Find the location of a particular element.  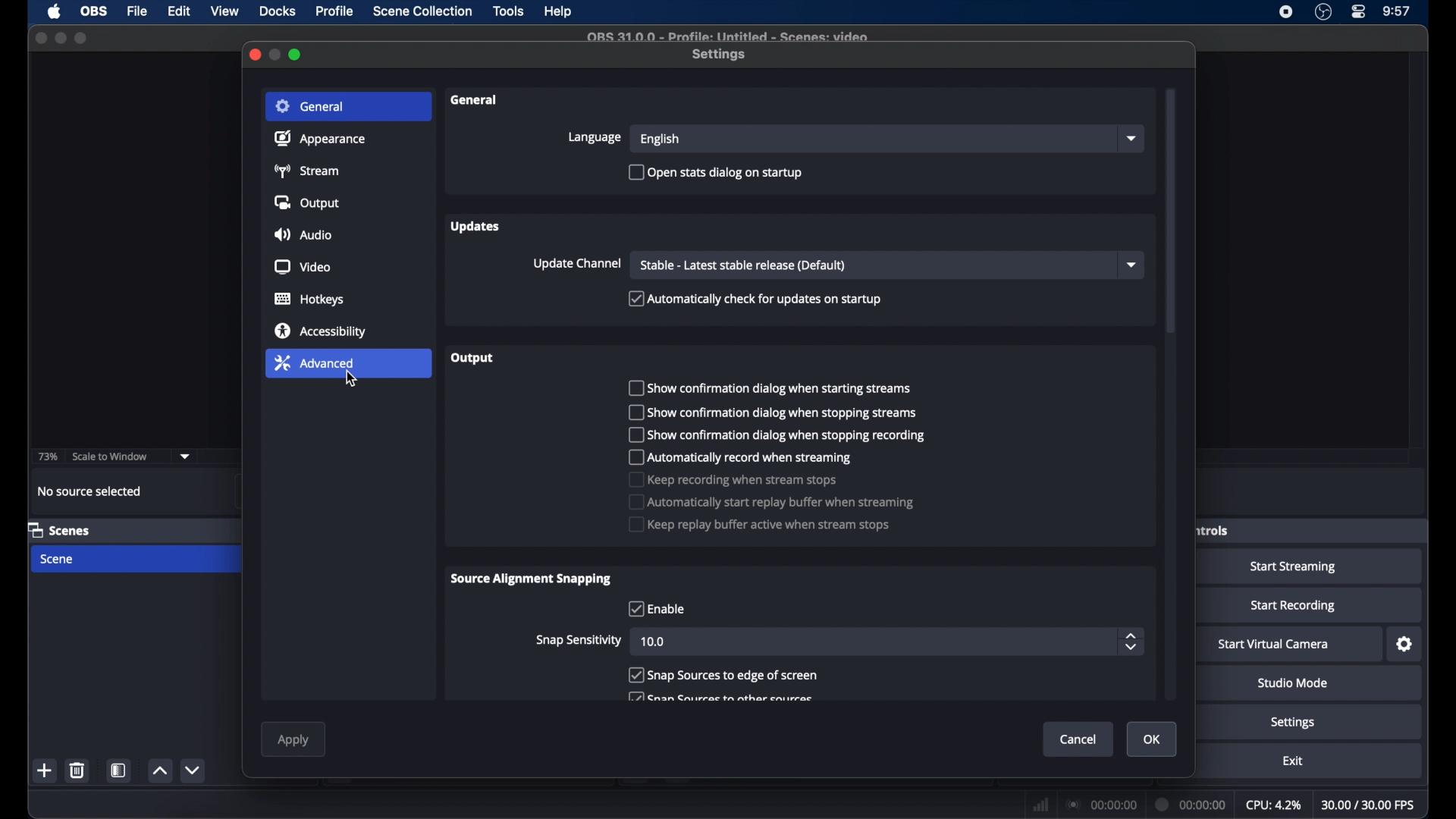

studio mode is located at coordinates (1294, 683).